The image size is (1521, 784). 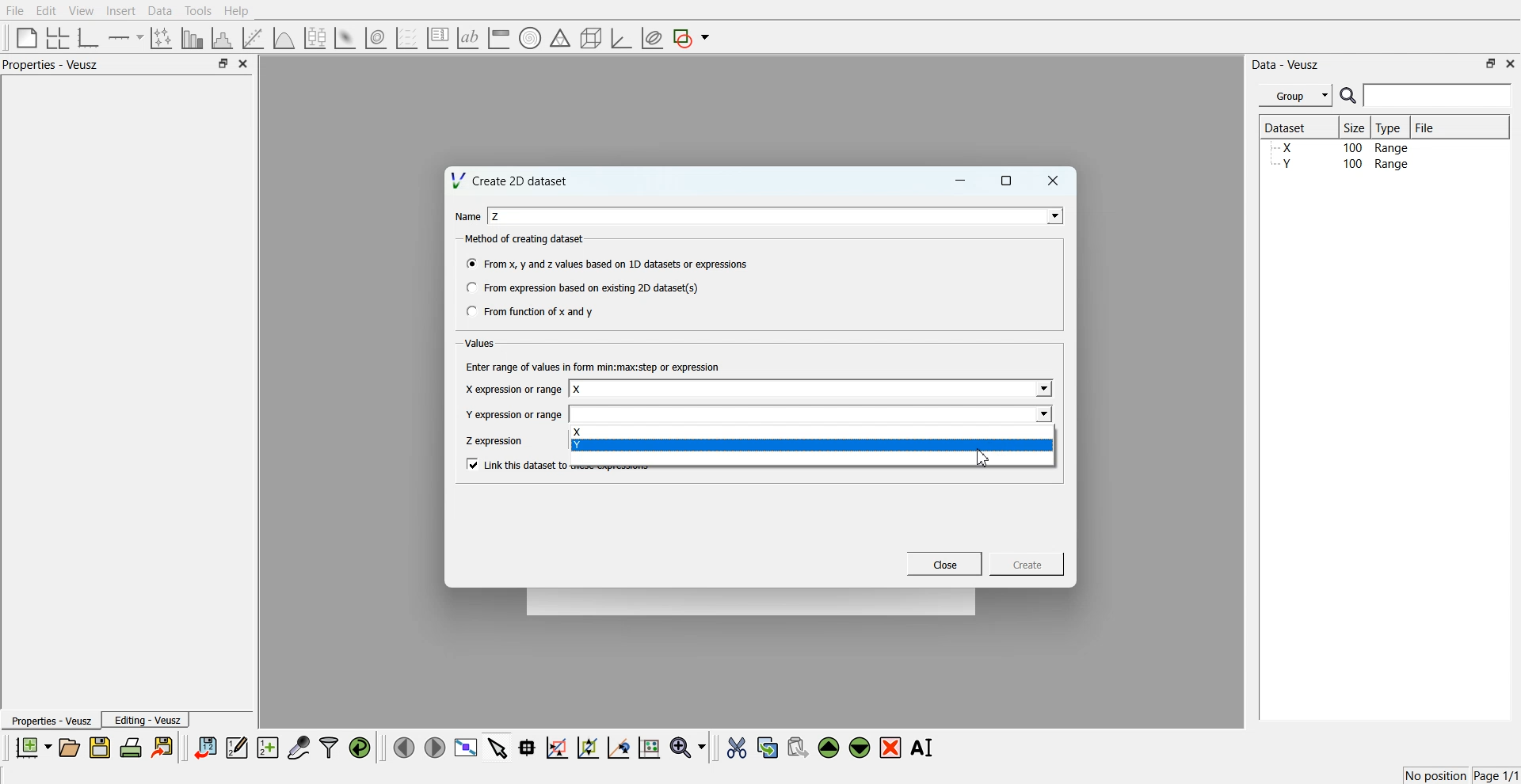 I want to click on }  Zexpression, so click(x=496, y=441).